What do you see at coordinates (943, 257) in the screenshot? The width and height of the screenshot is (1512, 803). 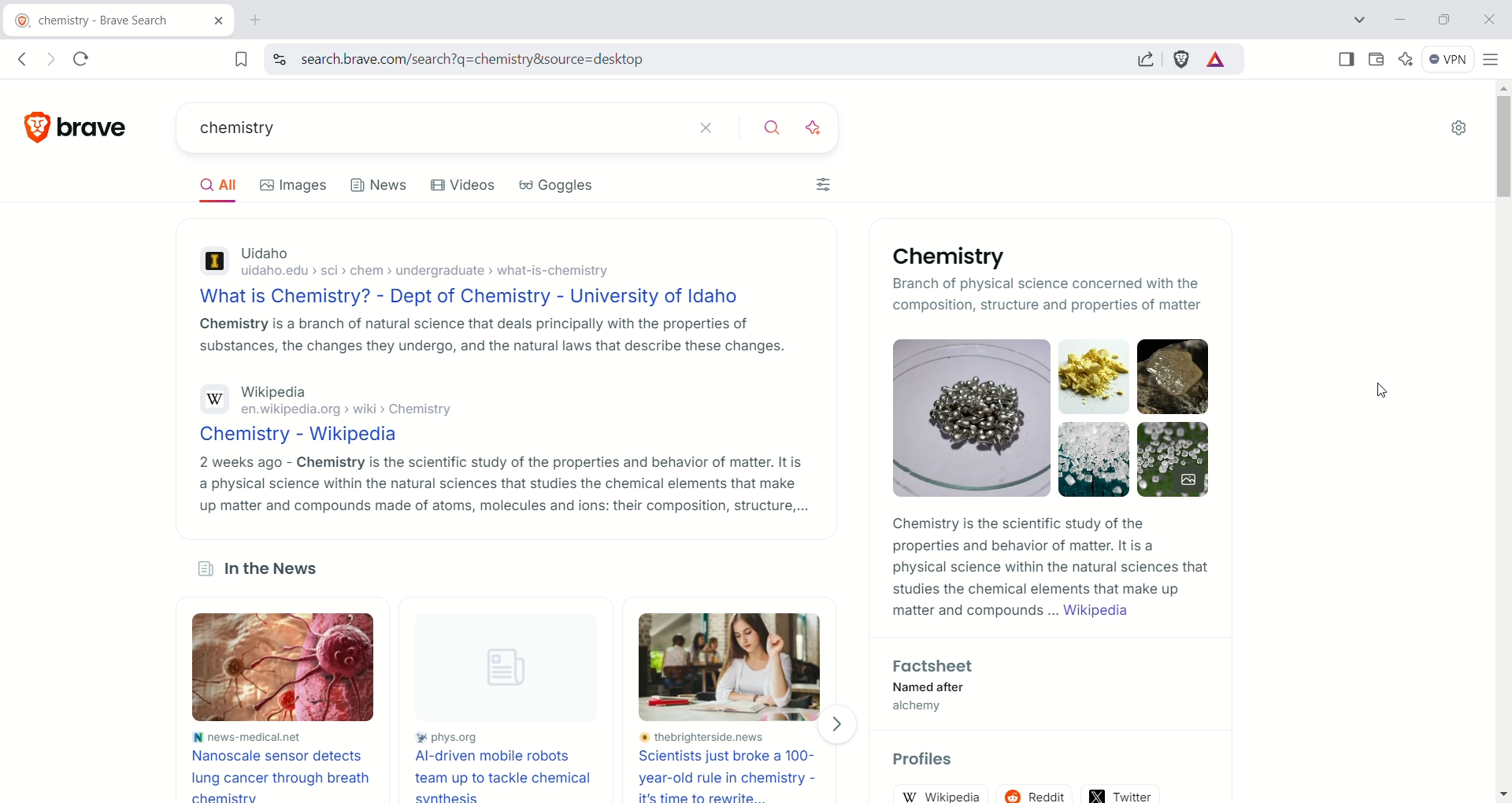 I see `Chemistry` at bounding box center [943, 257].